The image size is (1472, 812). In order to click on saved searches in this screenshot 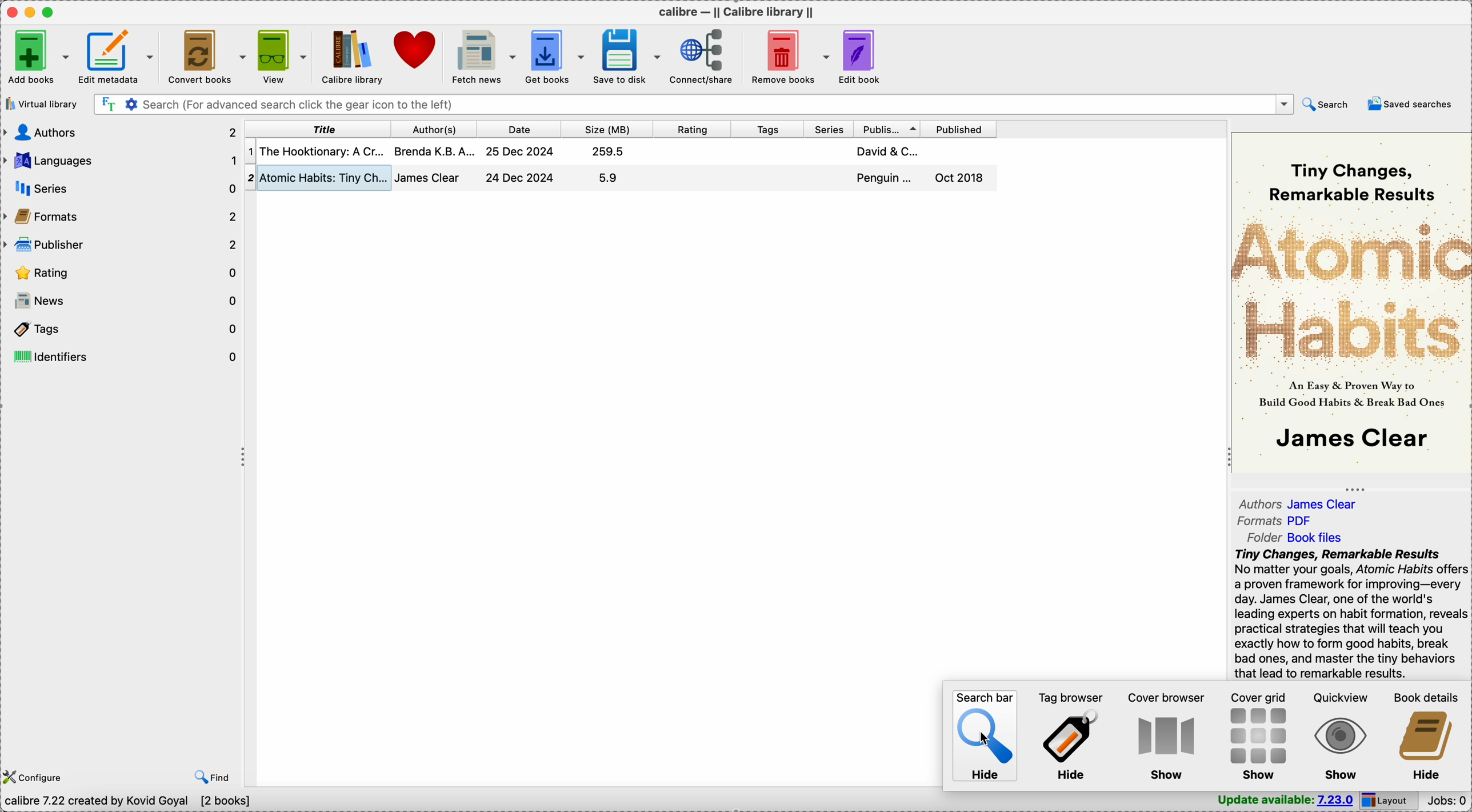, I will do `click(1415, 105)`.